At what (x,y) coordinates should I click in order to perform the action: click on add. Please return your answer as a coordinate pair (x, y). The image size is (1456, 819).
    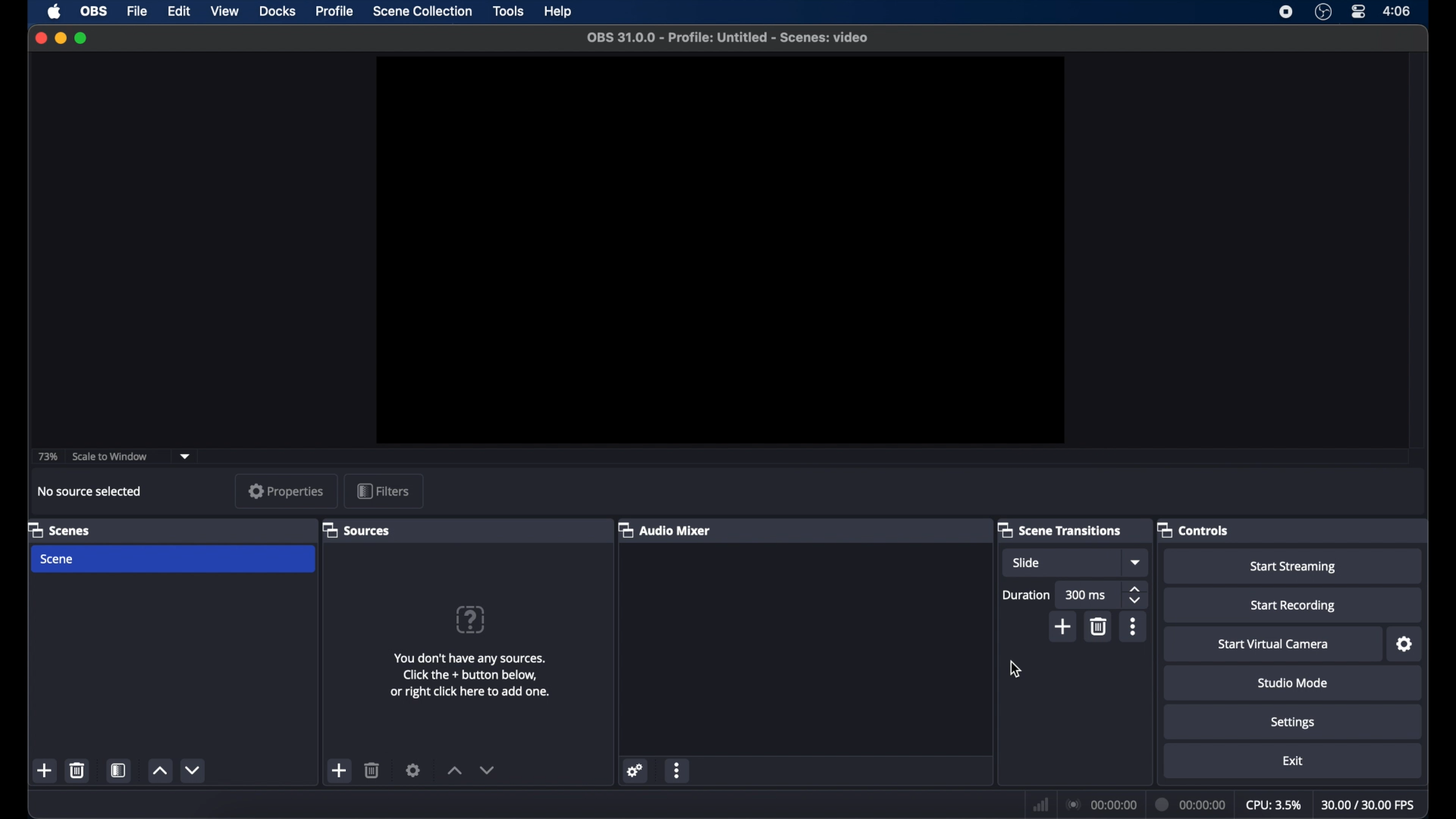
    Looking at the image, I should click on (45, 770).